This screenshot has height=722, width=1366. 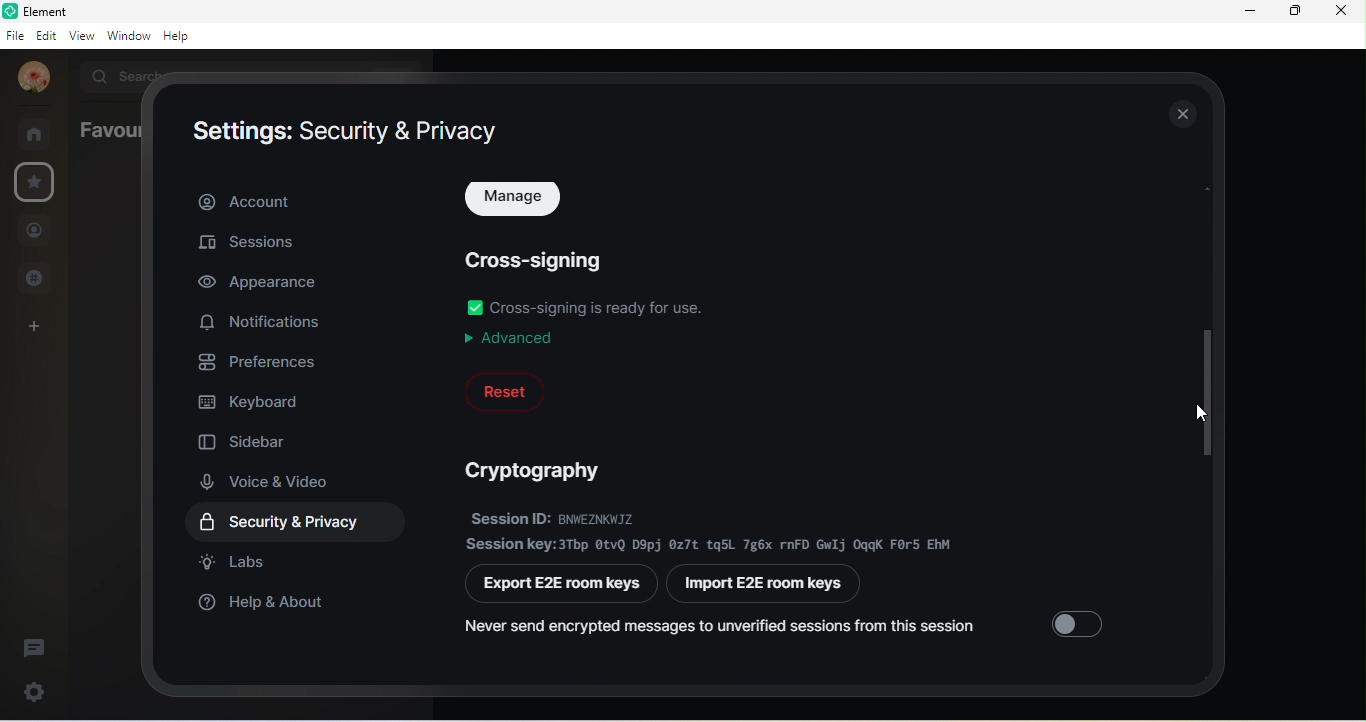 What do you see at coordinates (35, 183) in the screenshot?
I see `favourites` at bounding box center [35, 183].